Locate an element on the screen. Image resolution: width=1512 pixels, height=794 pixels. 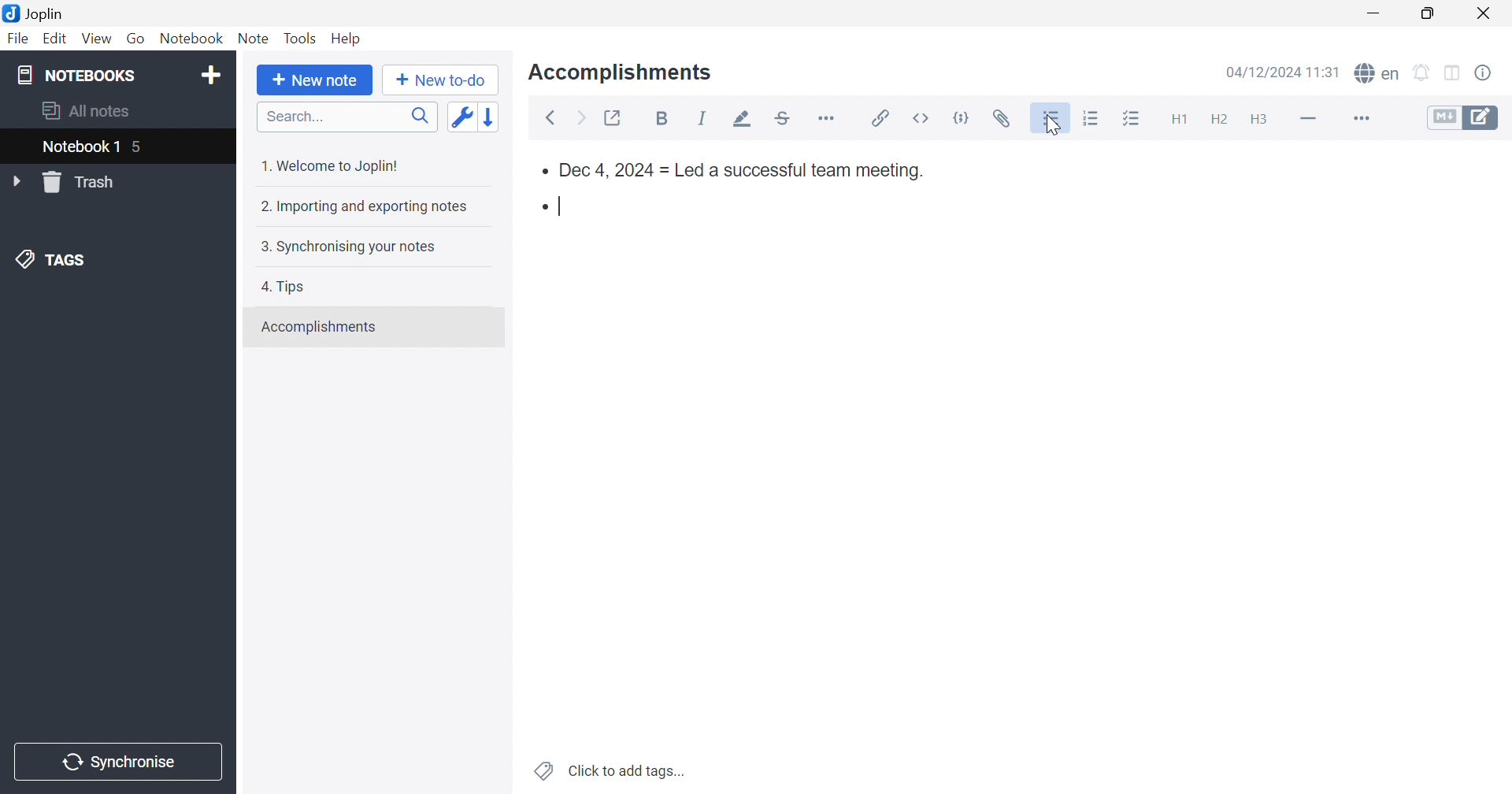
Bulleted list is located at coordinates (1052, 121).